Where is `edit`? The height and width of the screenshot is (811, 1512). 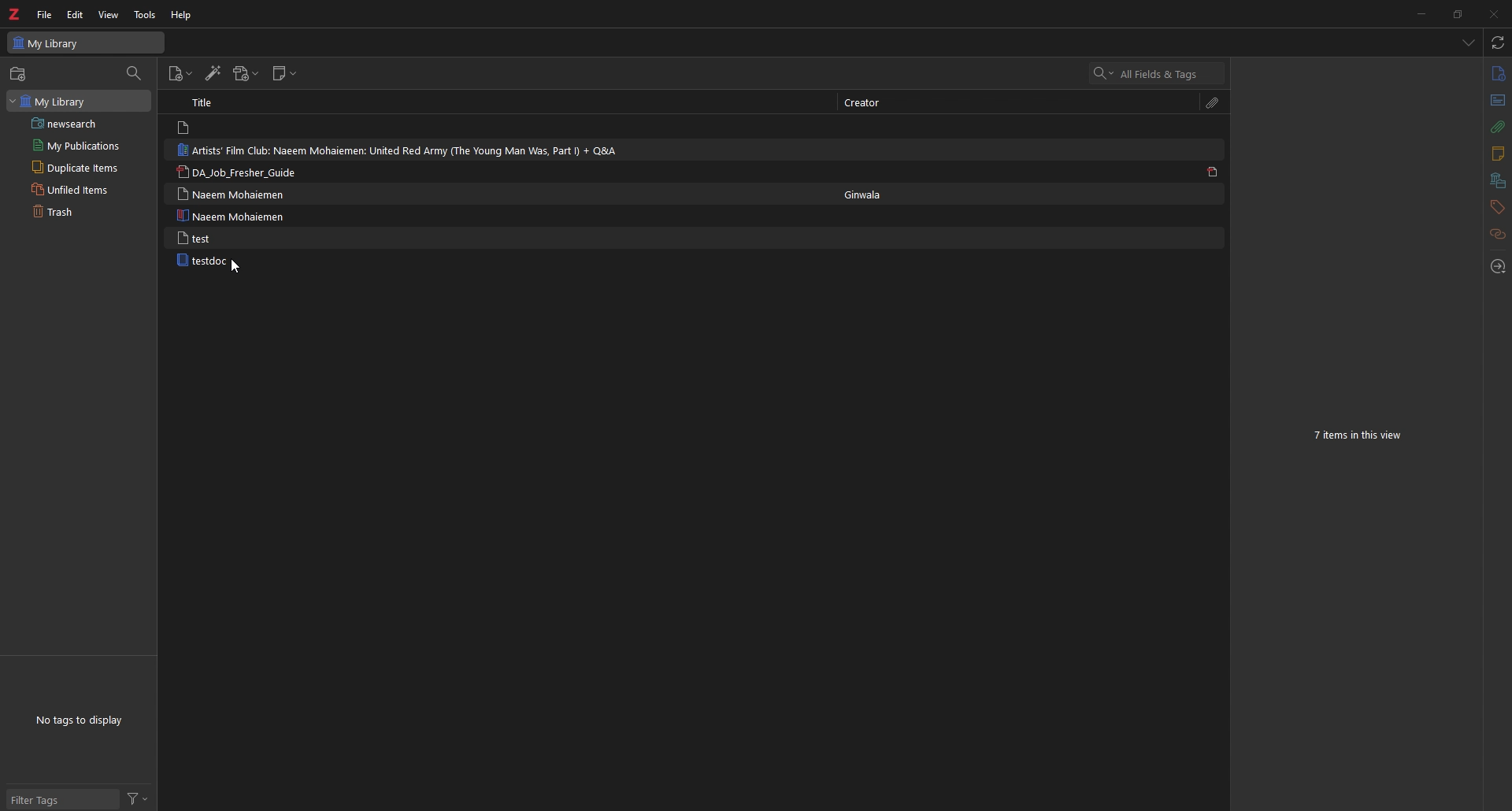 edit is located at coordinates (76, 14).